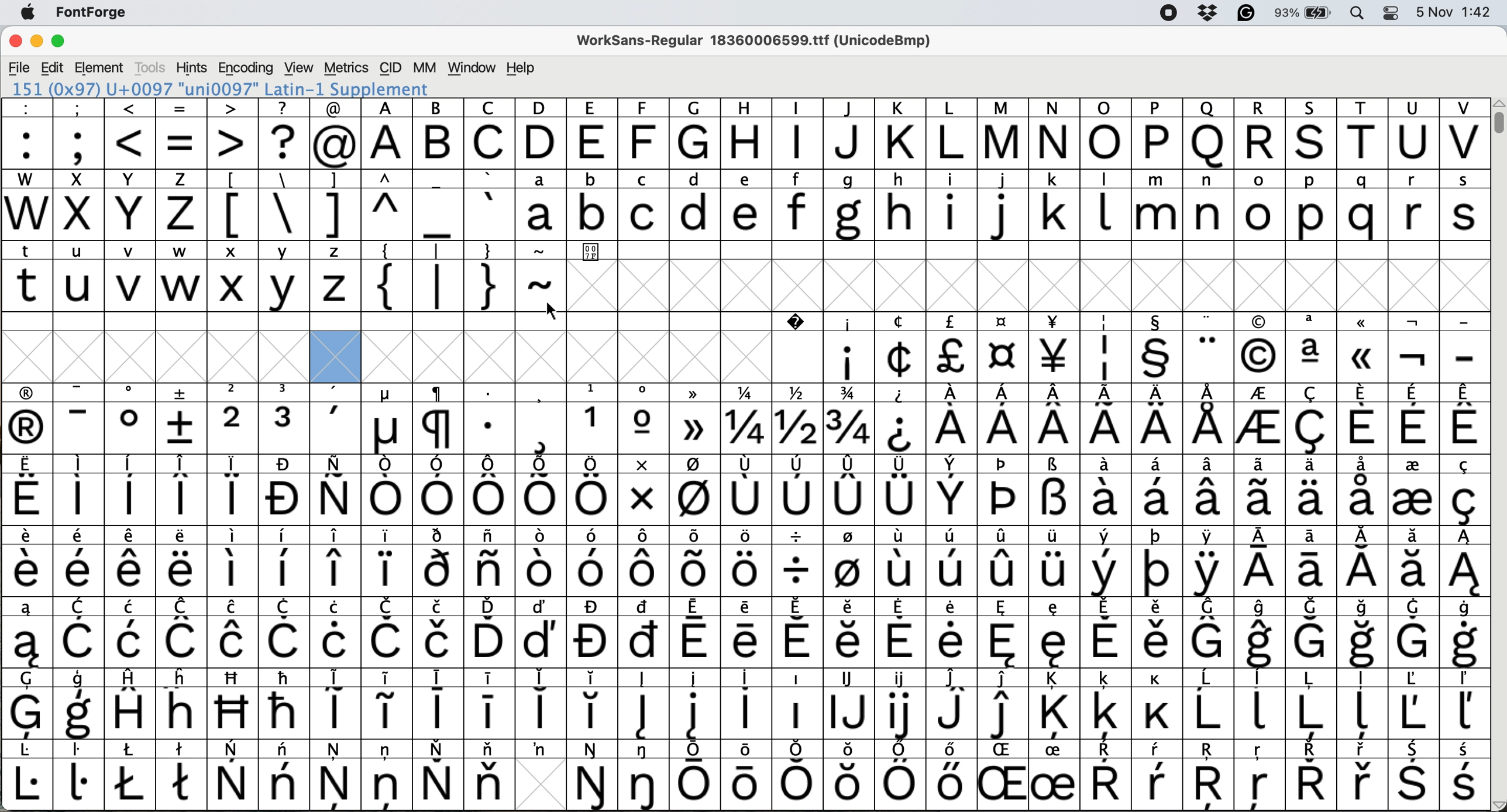  What do you see at coordinates (847, 206) in the screenshot?
I see `g` at bounding box center [847, 206].